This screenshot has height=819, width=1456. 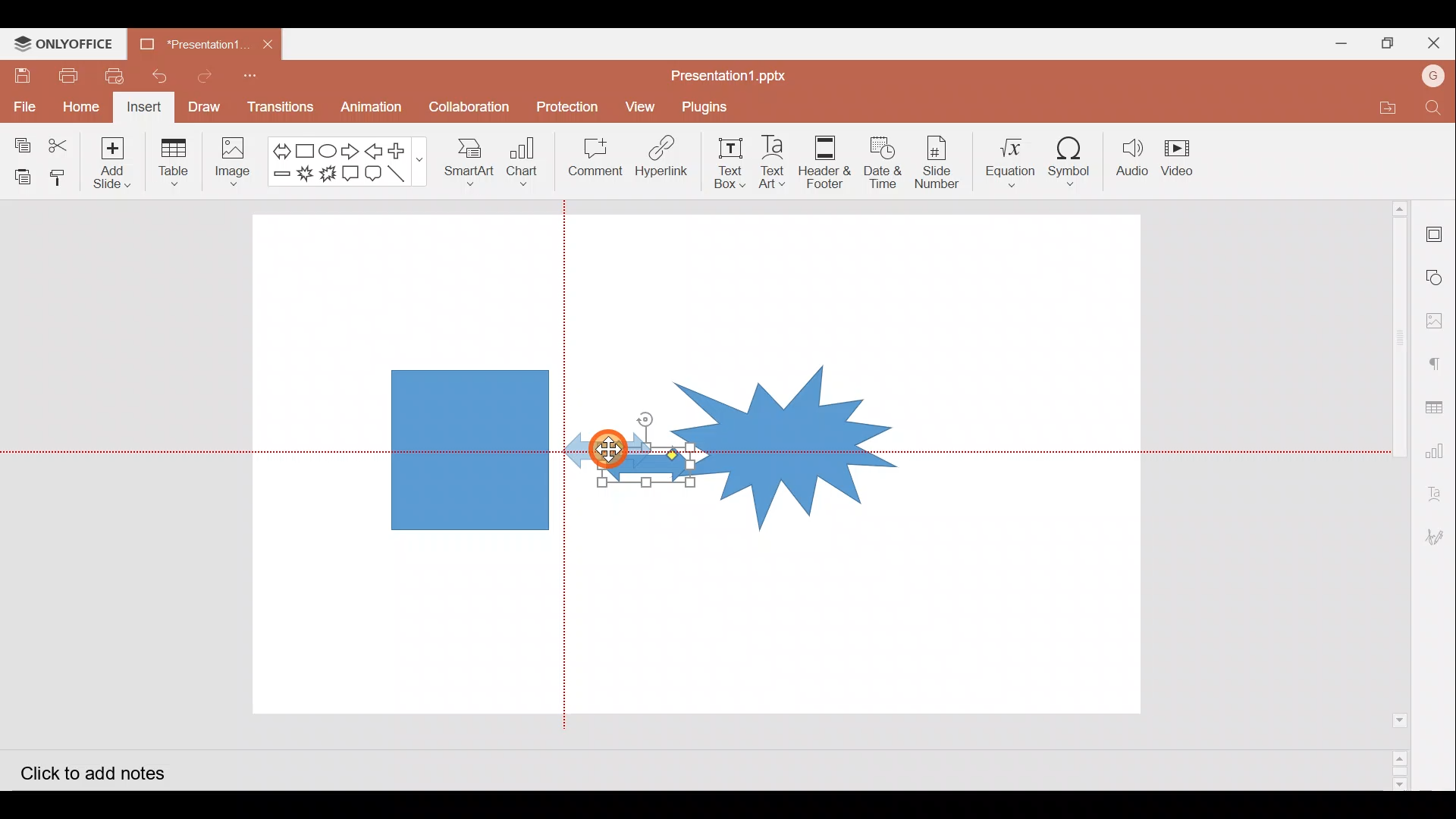 I want to click on Animation, so click(x=372, y=108).